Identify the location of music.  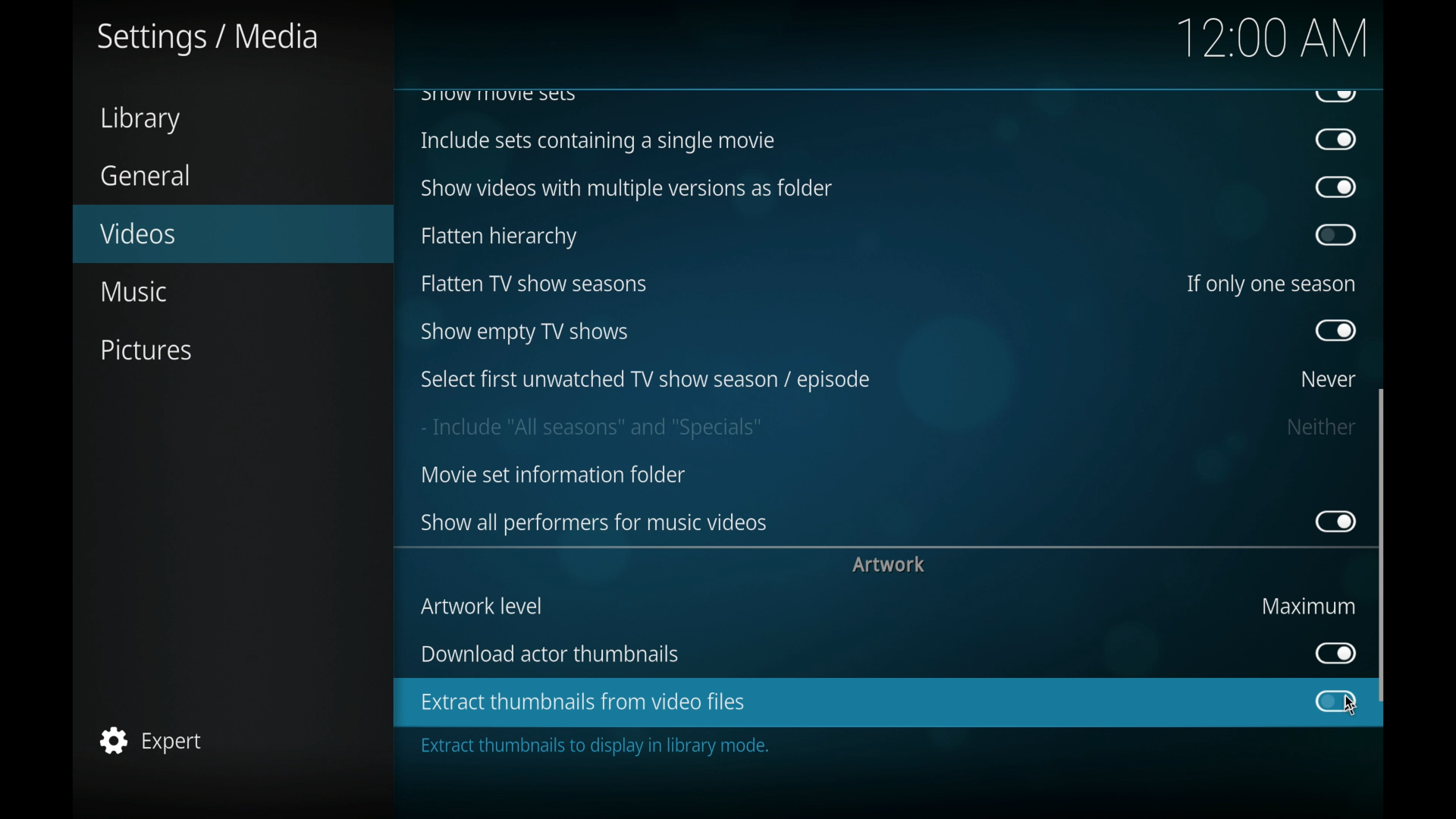
(132, 291).